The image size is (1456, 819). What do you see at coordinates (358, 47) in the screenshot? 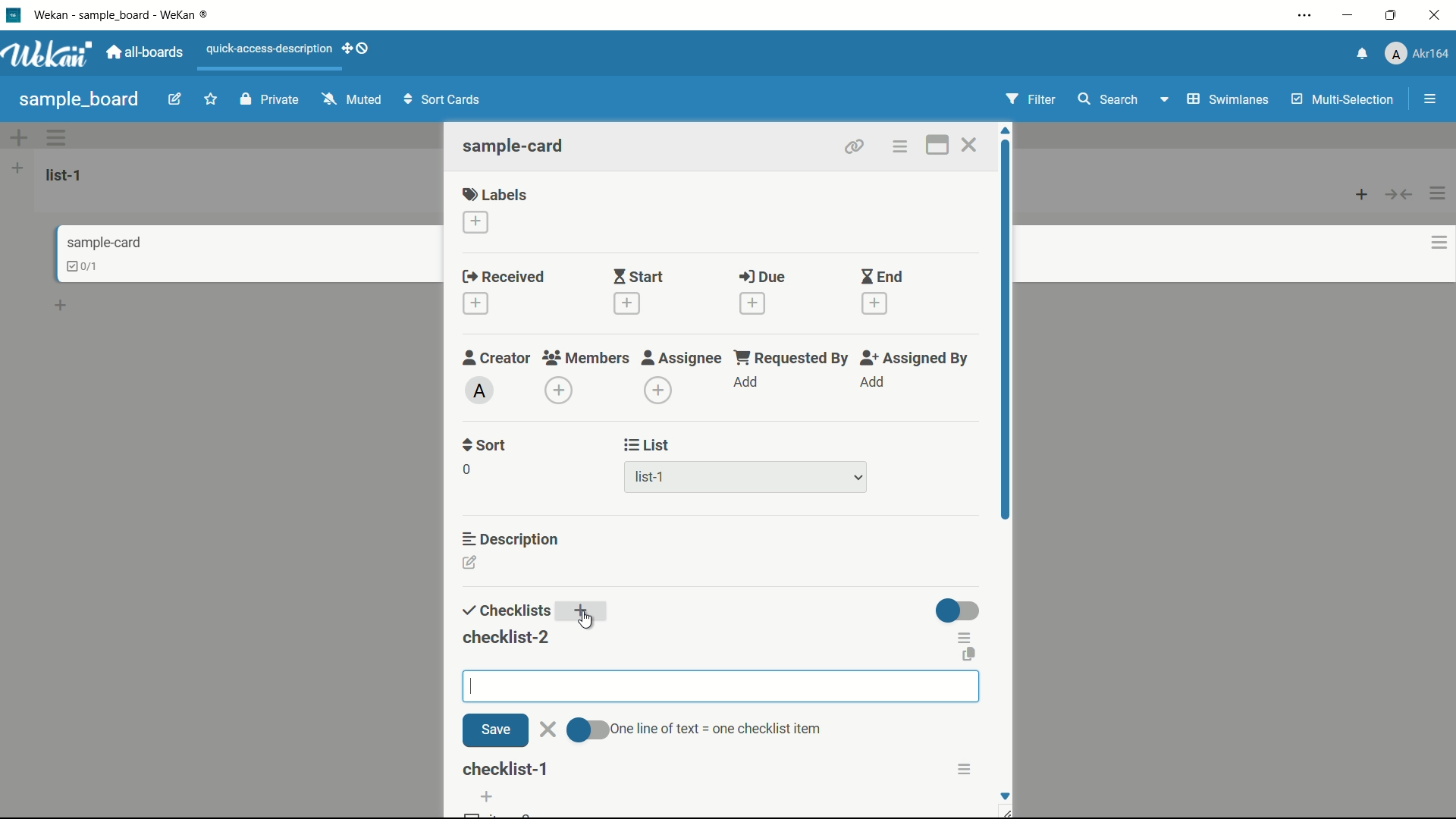
I see `show-desktop-drag-handles` at bounding box center [358, 47].